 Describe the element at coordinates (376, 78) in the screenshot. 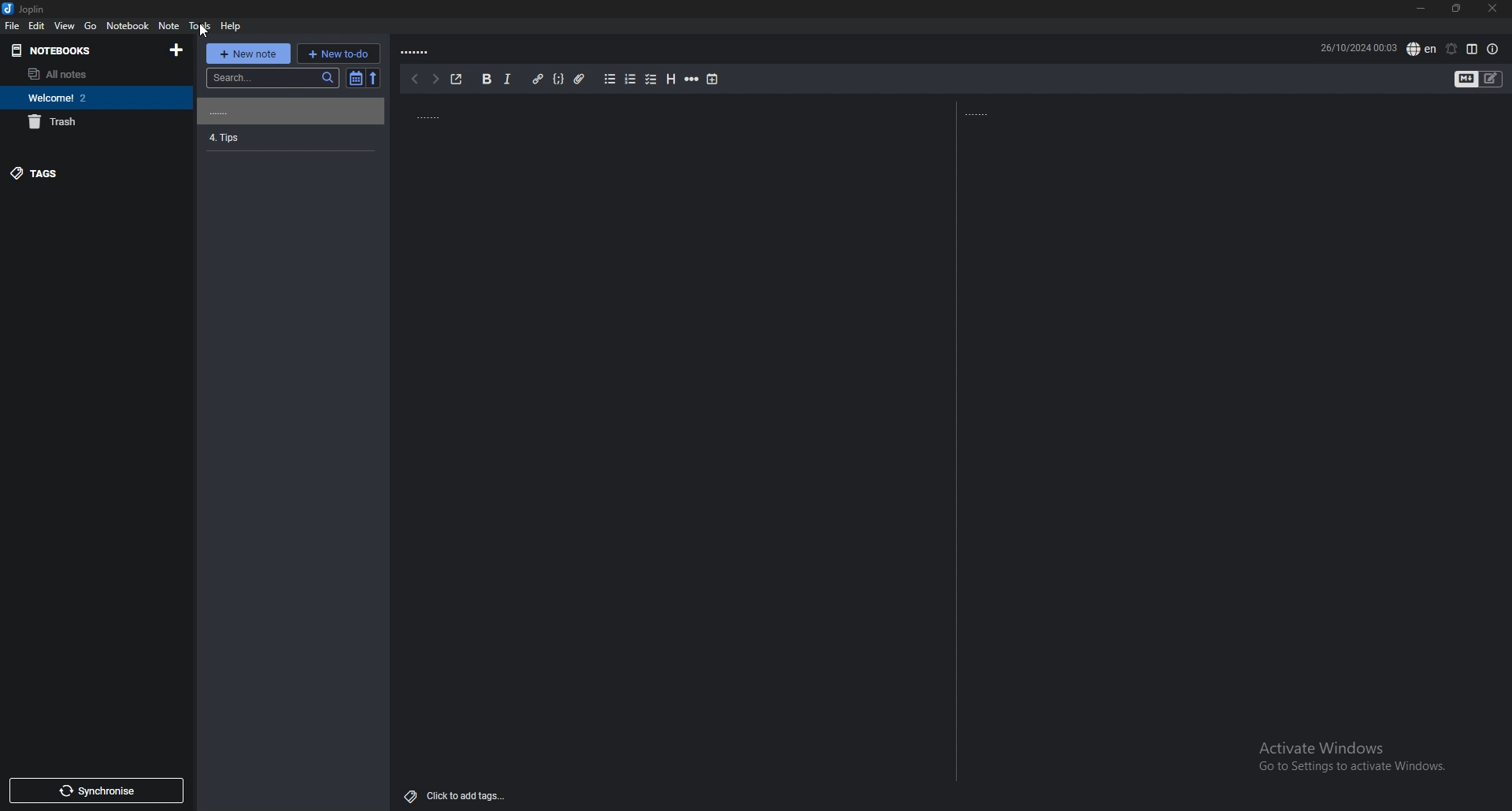

I see `reverse order` at that location.